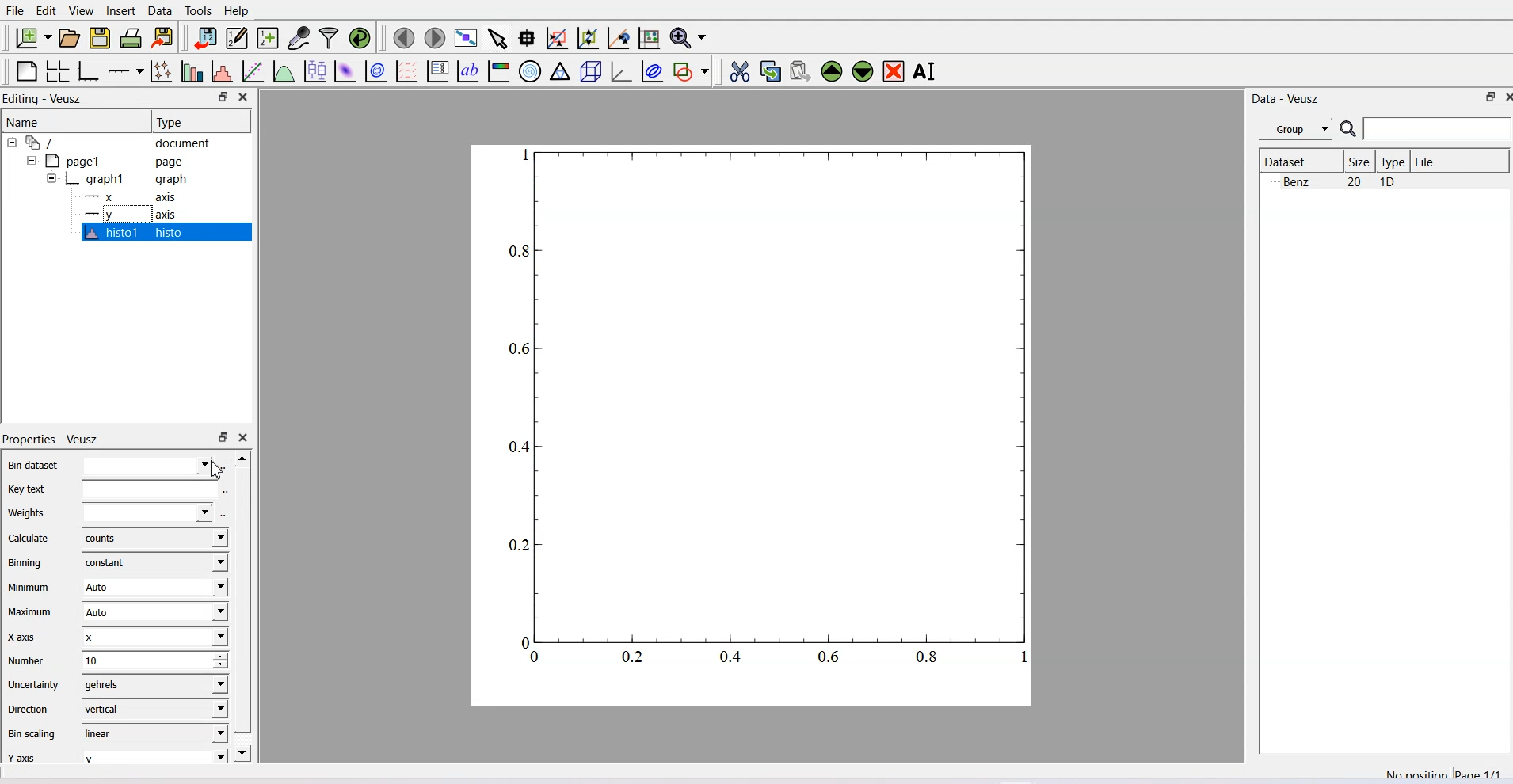  What do you see at coordinates (13, 143) in the screenshot?
I see `Collapse` at bounding box center [13, 143].